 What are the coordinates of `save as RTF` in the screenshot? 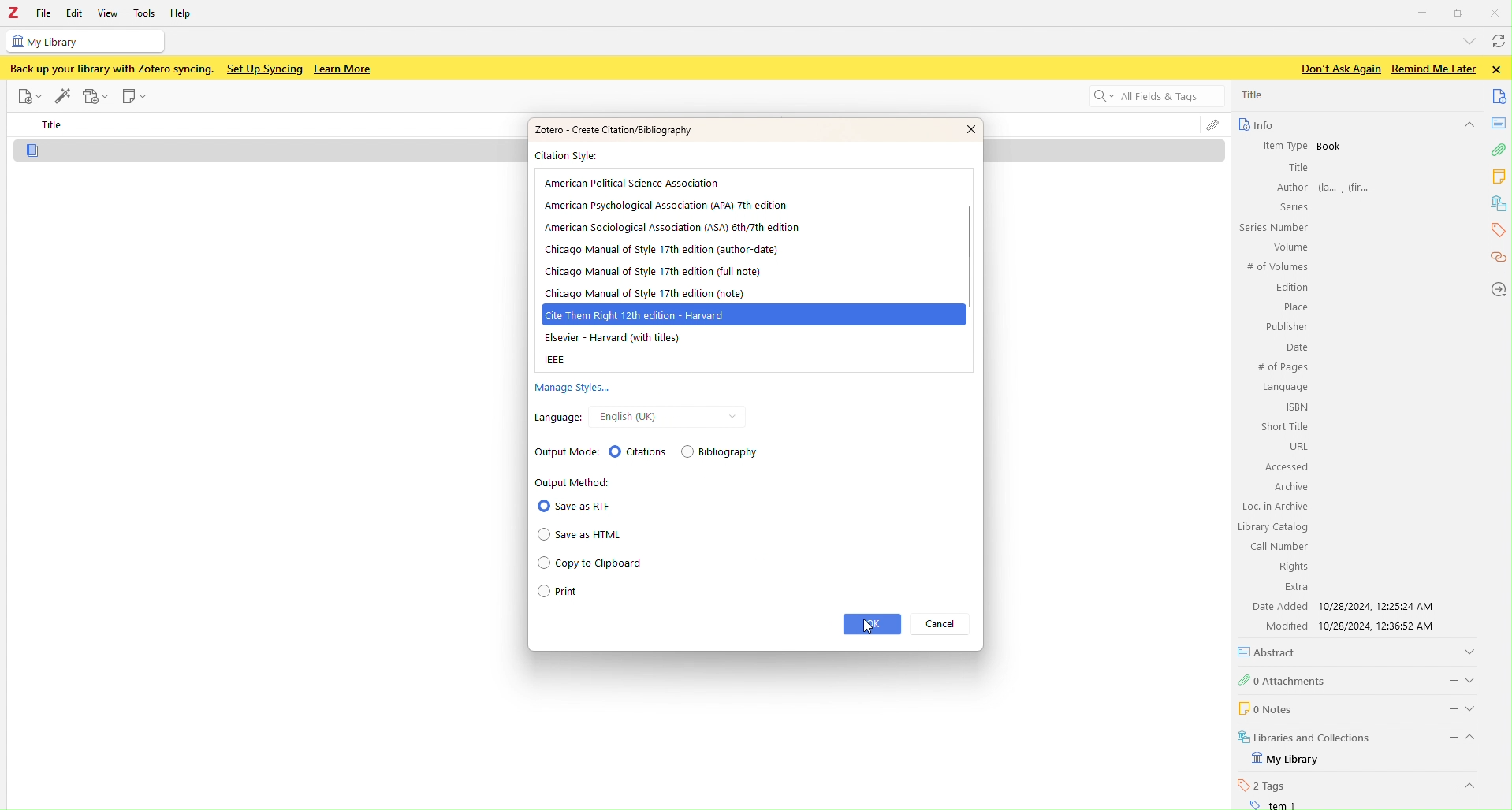 It's located at (574, 506).